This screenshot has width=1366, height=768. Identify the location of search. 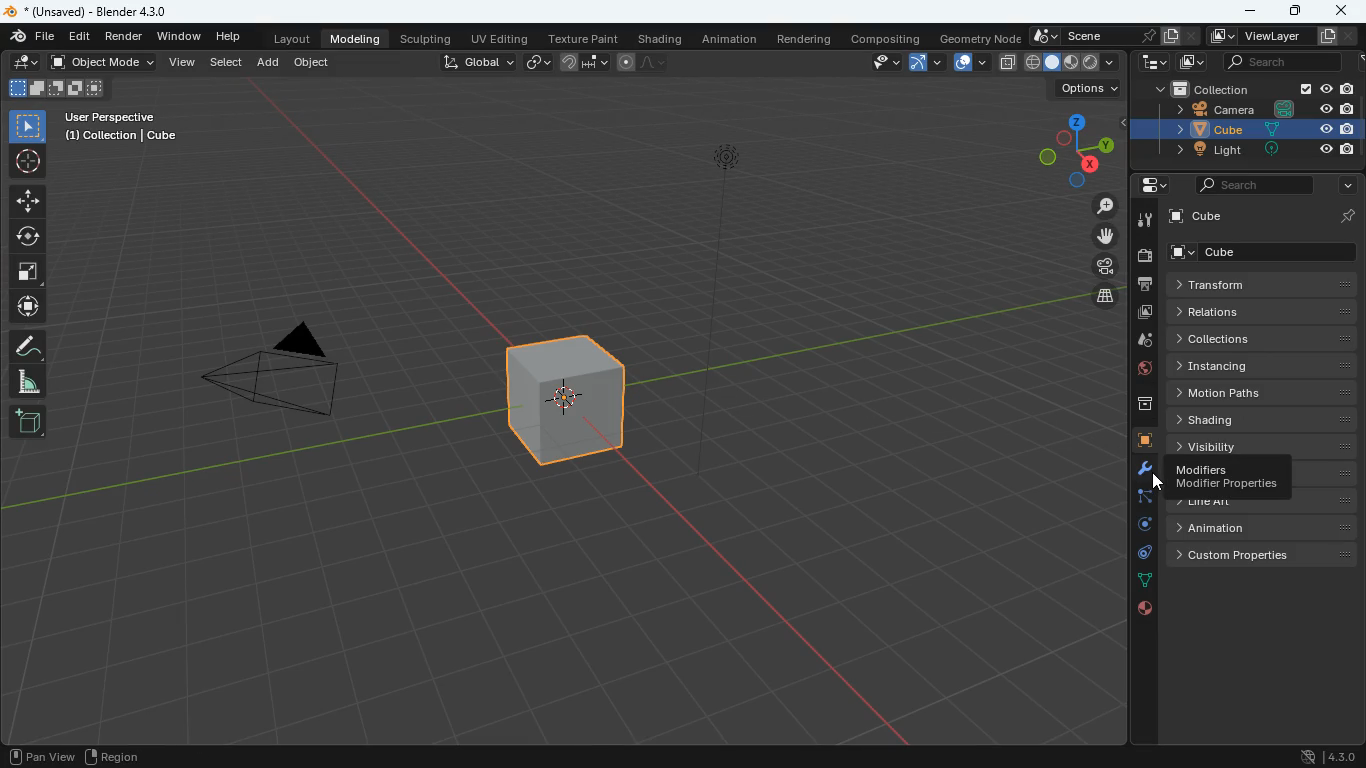
(1252, 186).